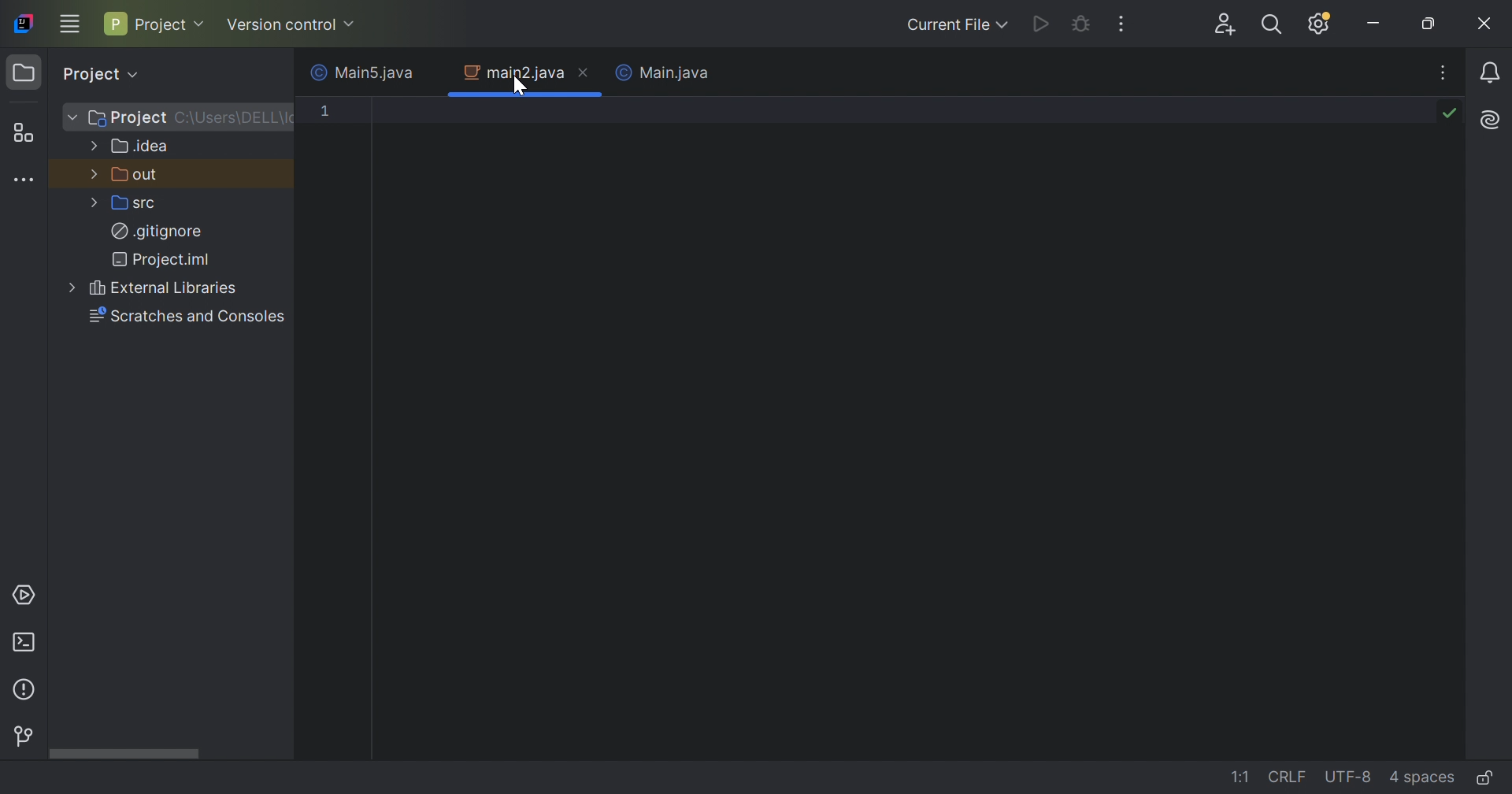 This screenshot has width=1512, height=794. Describe the element at coordinates (1491, 120) in the screenshot. I see `AI Assistant` at that location.